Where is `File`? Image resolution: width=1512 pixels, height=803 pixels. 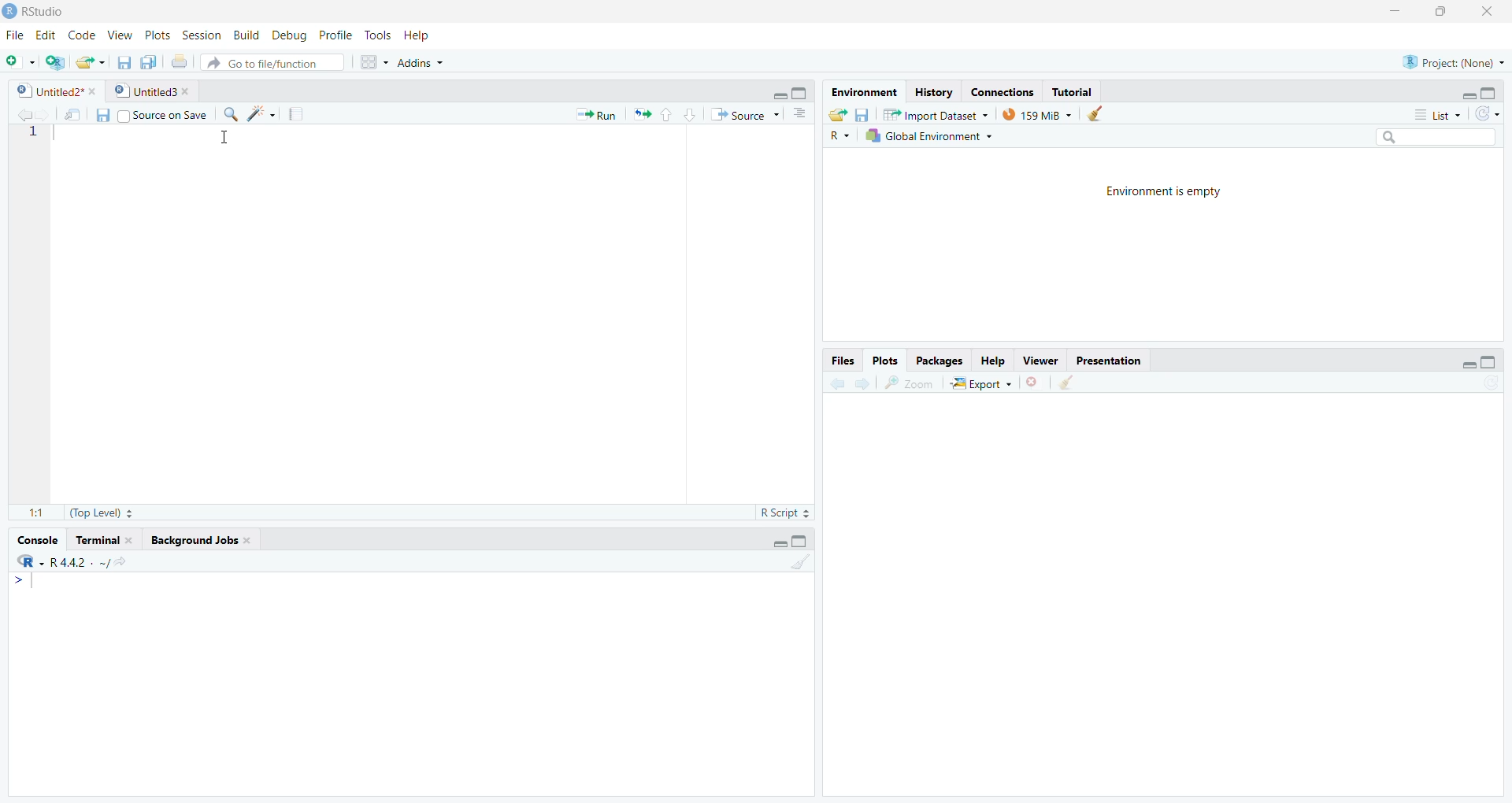 File is located at coordinates (13, 35).